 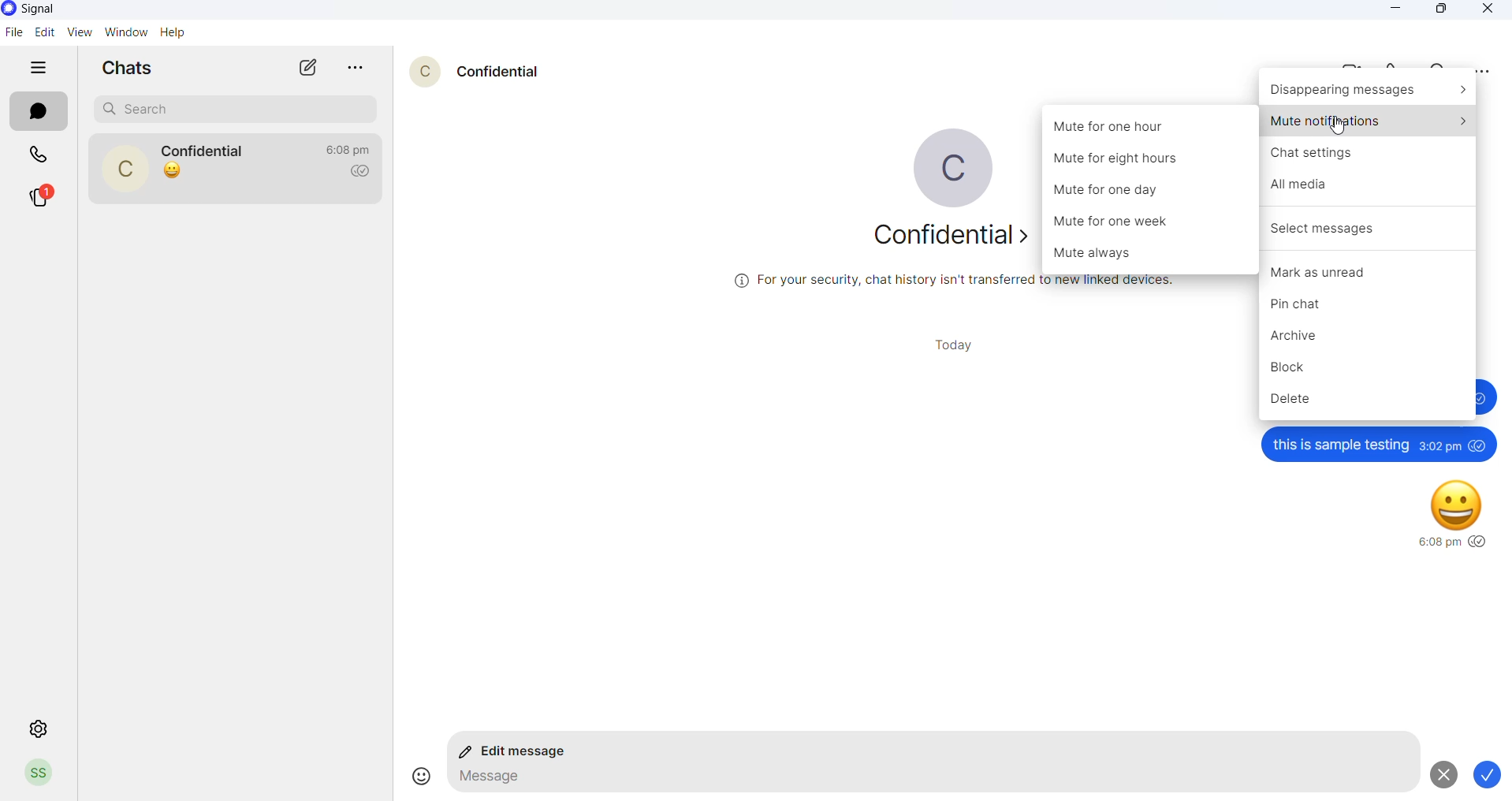 What do you see at coordinates (359, 68) in the screenshot?
I see `more options` at bounding box center [359, 68].